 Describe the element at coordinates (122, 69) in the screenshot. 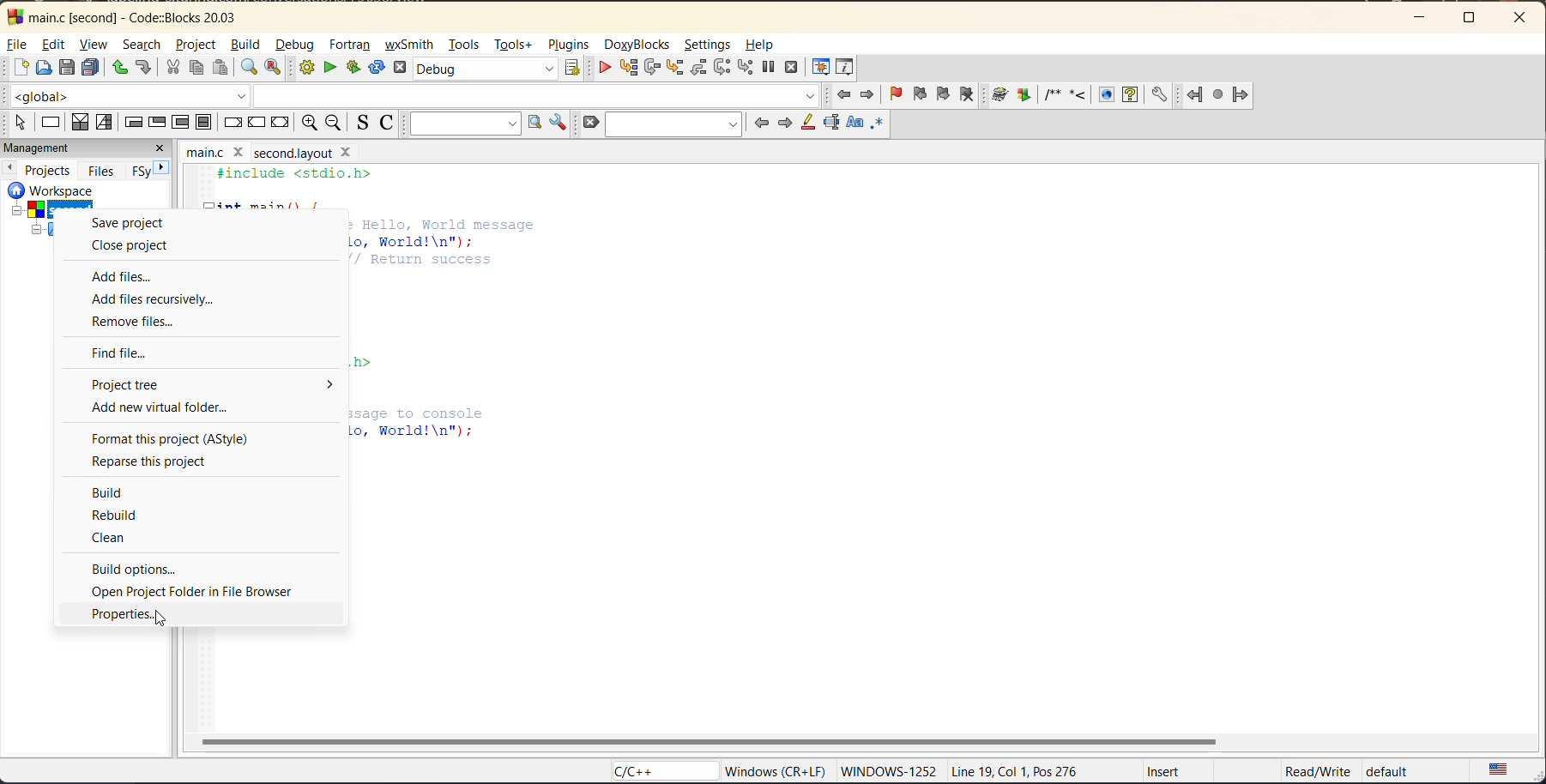

I see `undo` at that location.